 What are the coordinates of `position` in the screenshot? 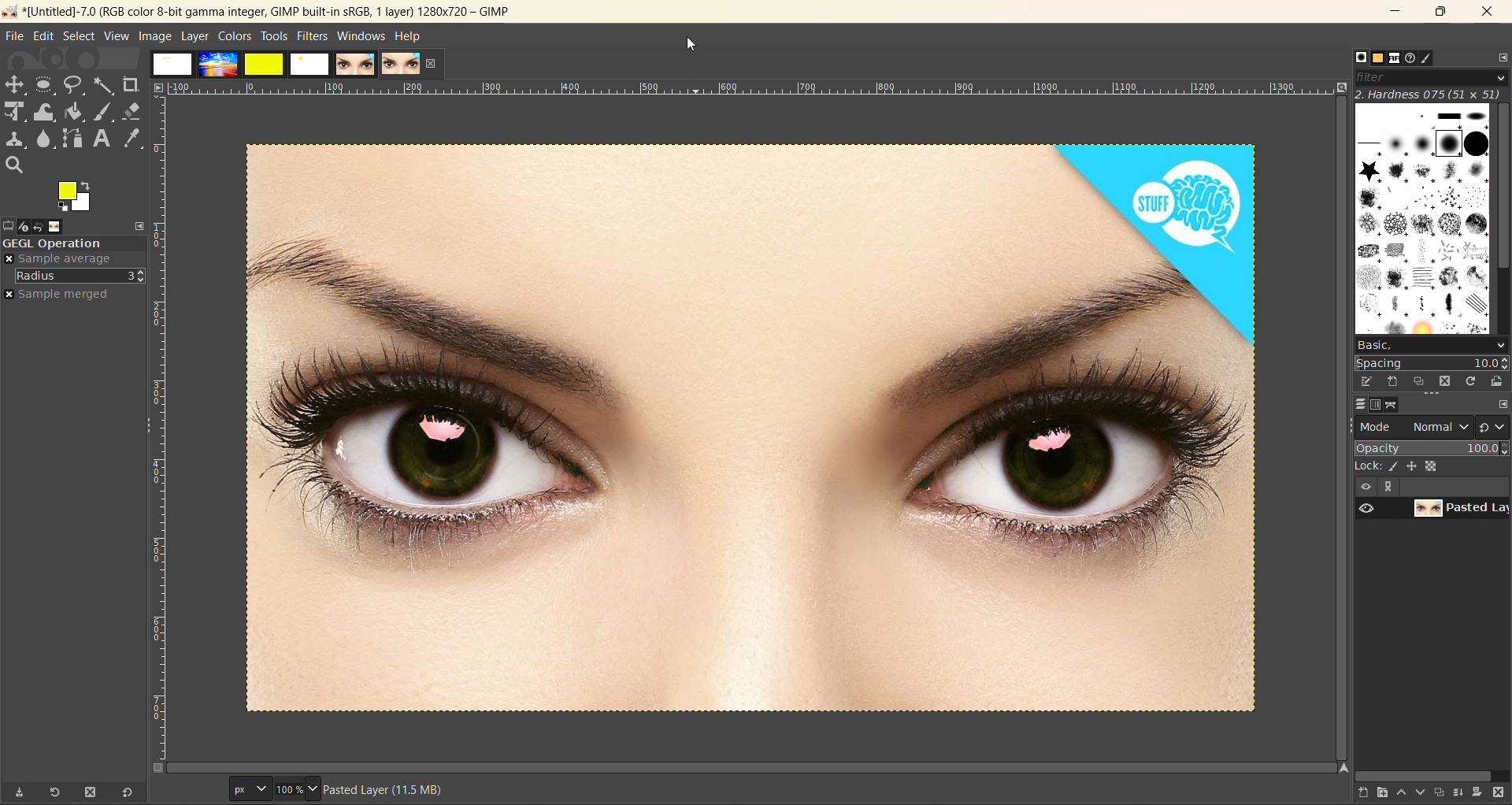 It's located at (1414, 466).